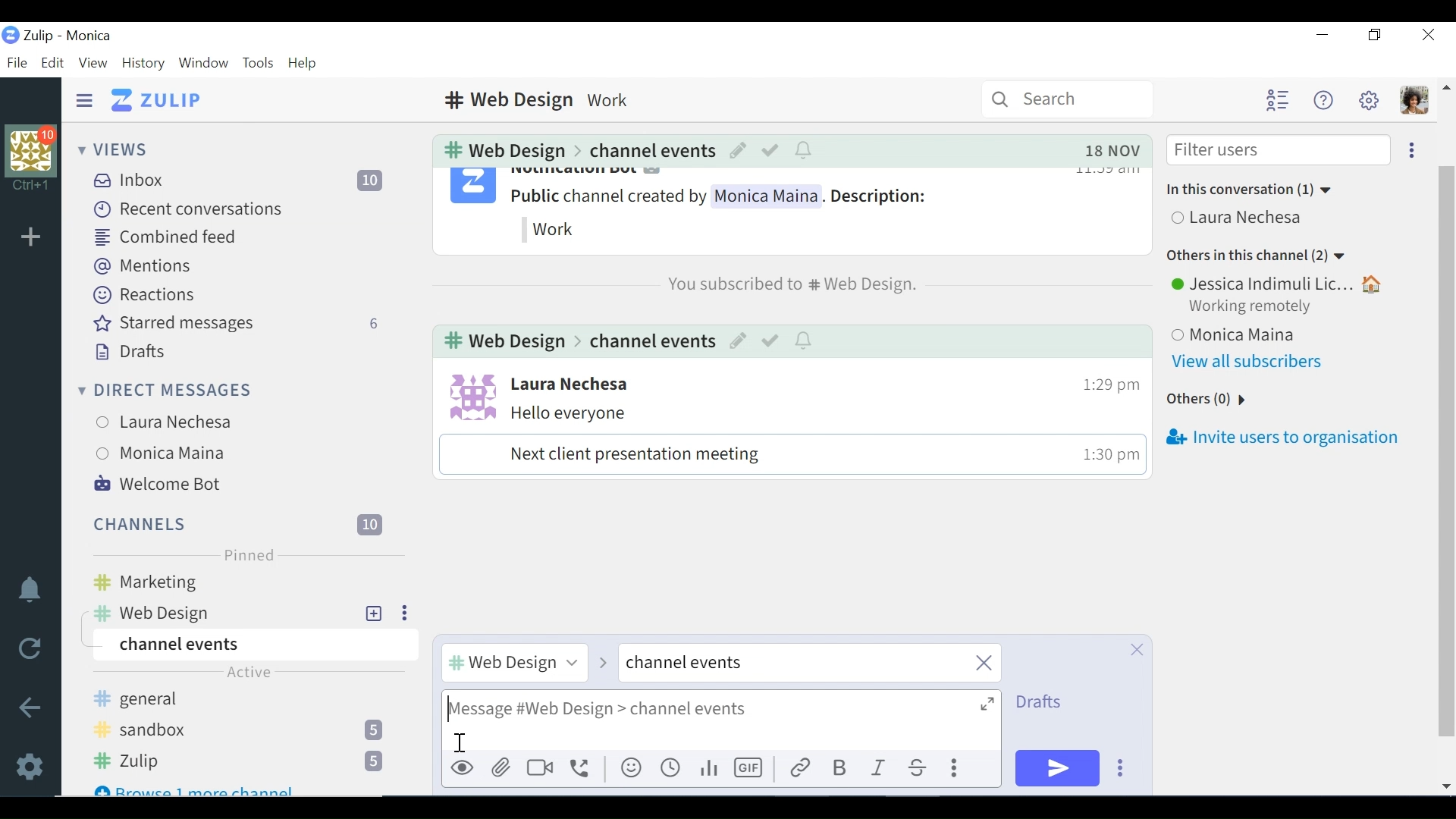 This screenshot has height=819, width=1456. Describe the element at coordinates (1068, 99) in the screenshot. I see `Search bar` at that location.